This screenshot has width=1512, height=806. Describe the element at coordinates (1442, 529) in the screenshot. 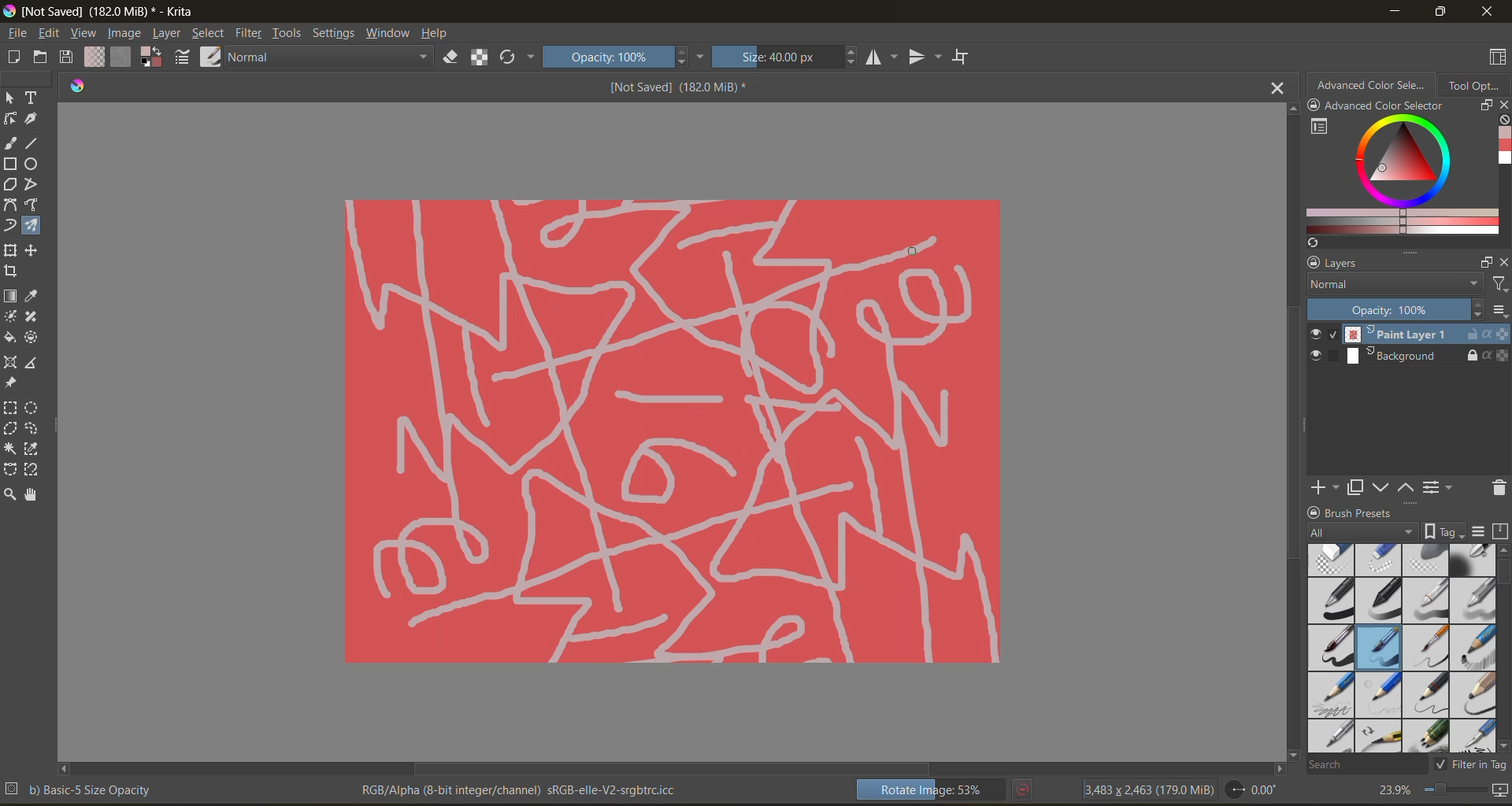

I see `show tag box` at that location.